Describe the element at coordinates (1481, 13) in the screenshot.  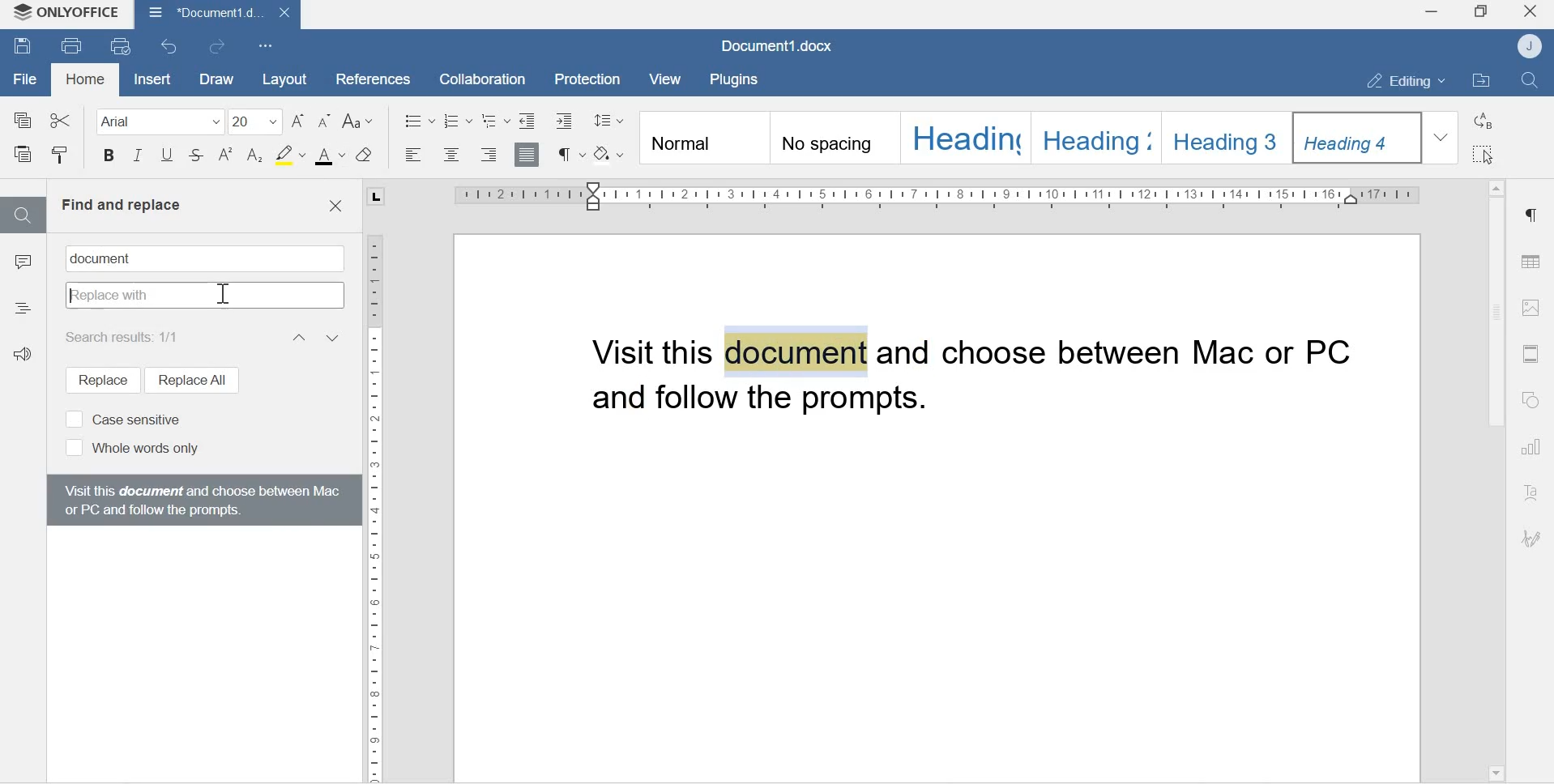
I see `Maximize` at that location.